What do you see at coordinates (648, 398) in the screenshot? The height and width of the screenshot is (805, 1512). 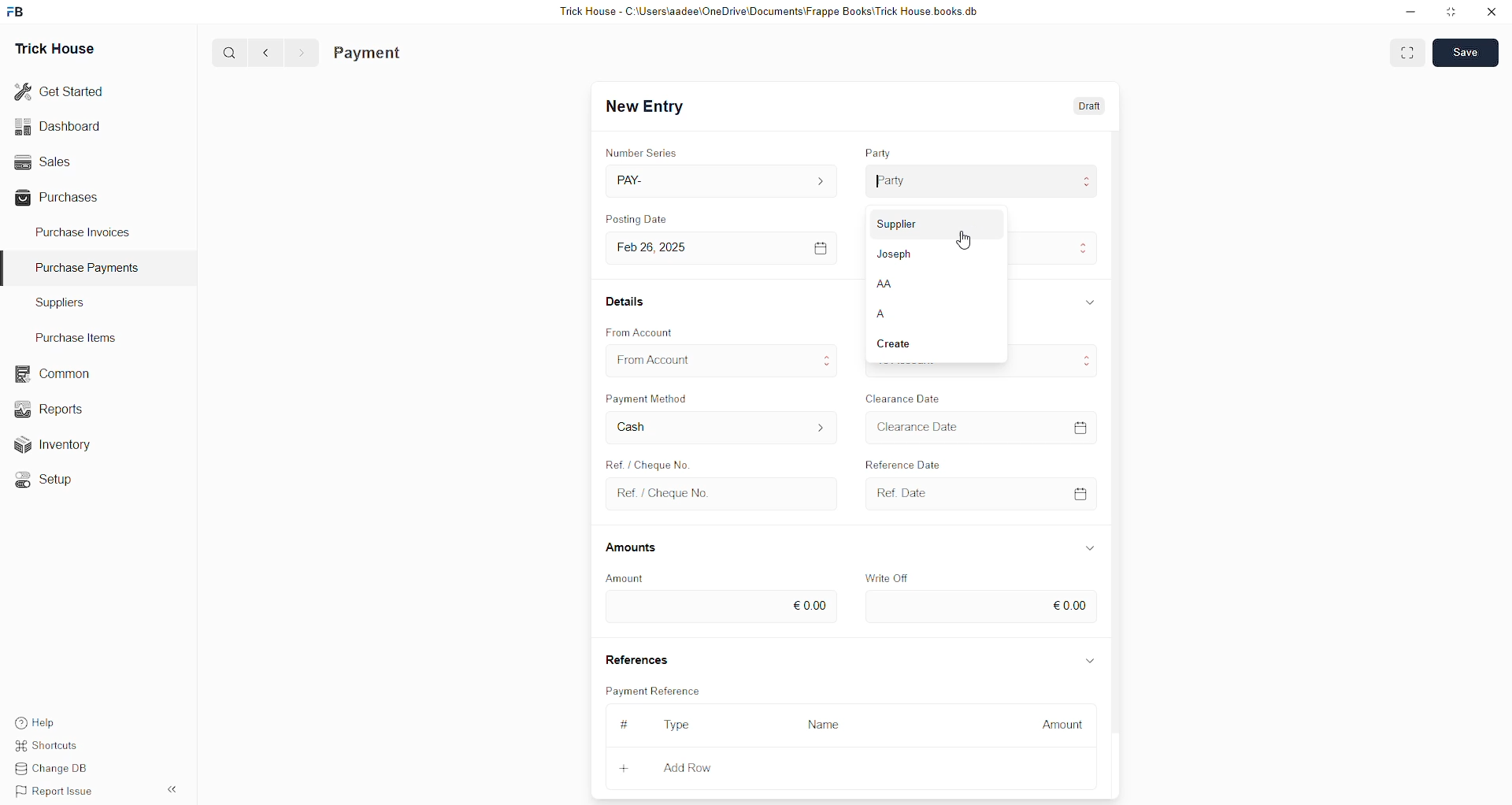 I see `Payment Method` at bounding box center [648, 398].